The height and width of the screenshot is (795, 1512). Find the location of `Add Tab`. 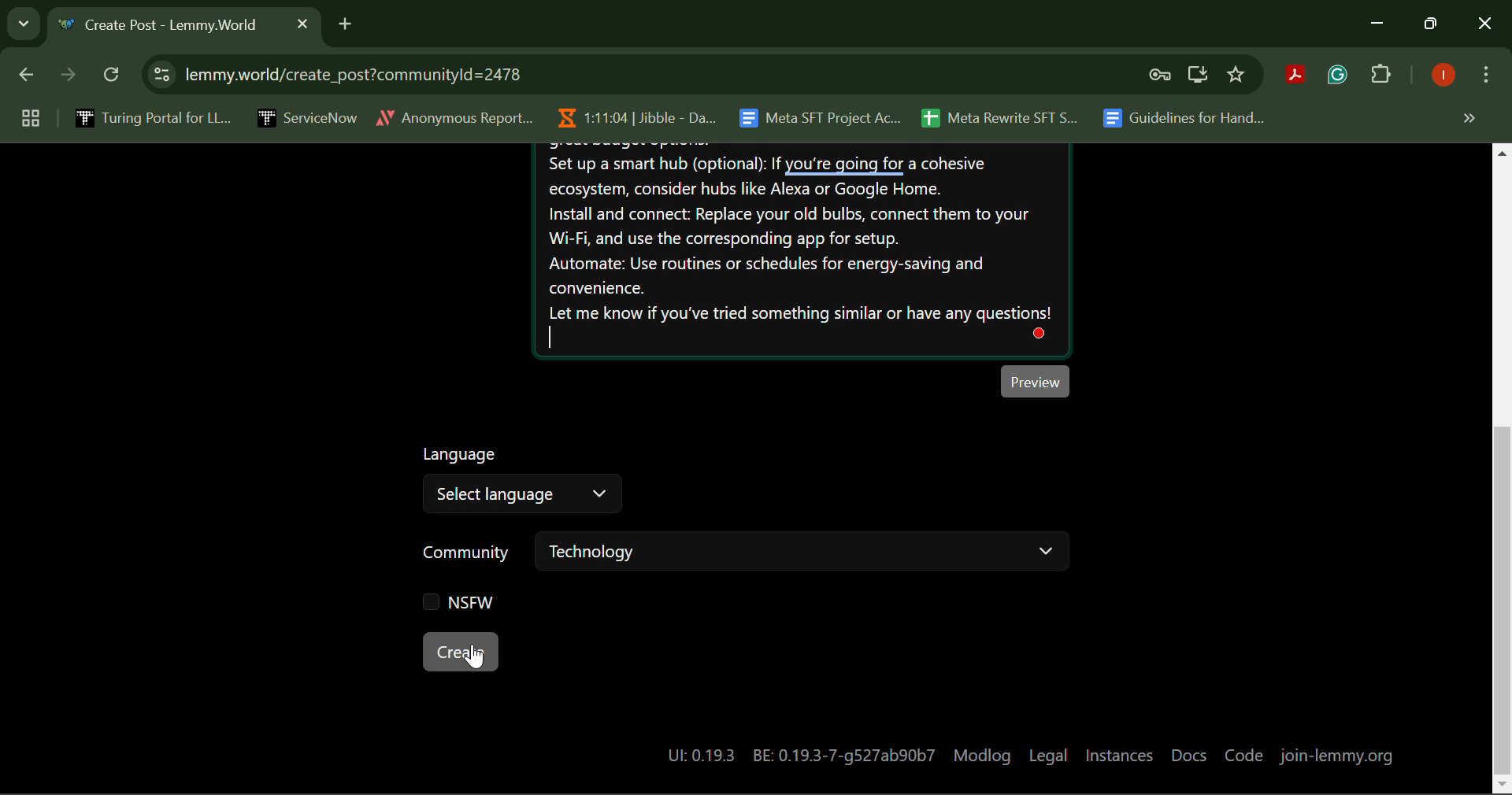

Add Tab is located at coordinates (345, 21).